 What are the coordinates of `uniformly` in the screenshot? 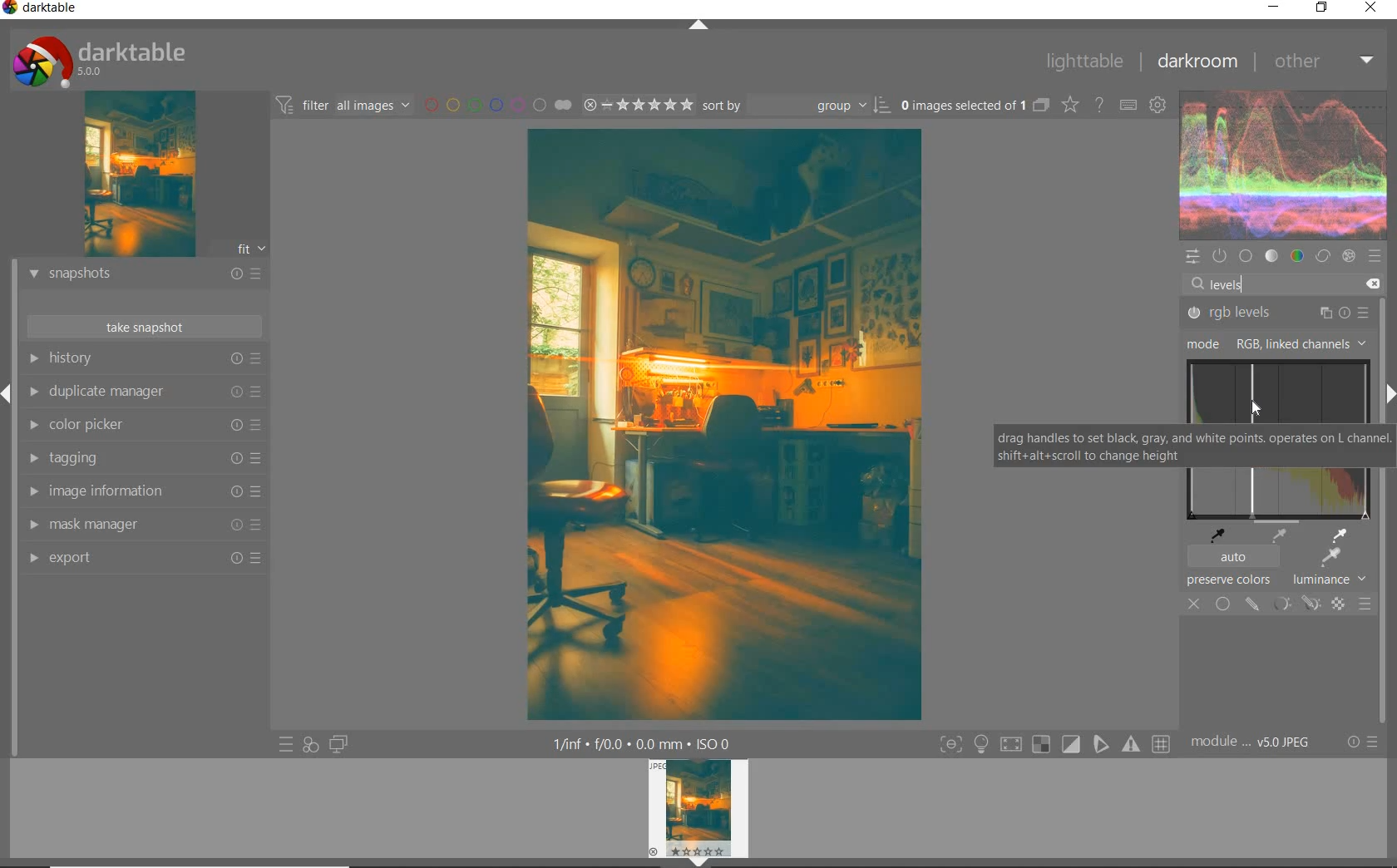 It's located at (1222, 604).